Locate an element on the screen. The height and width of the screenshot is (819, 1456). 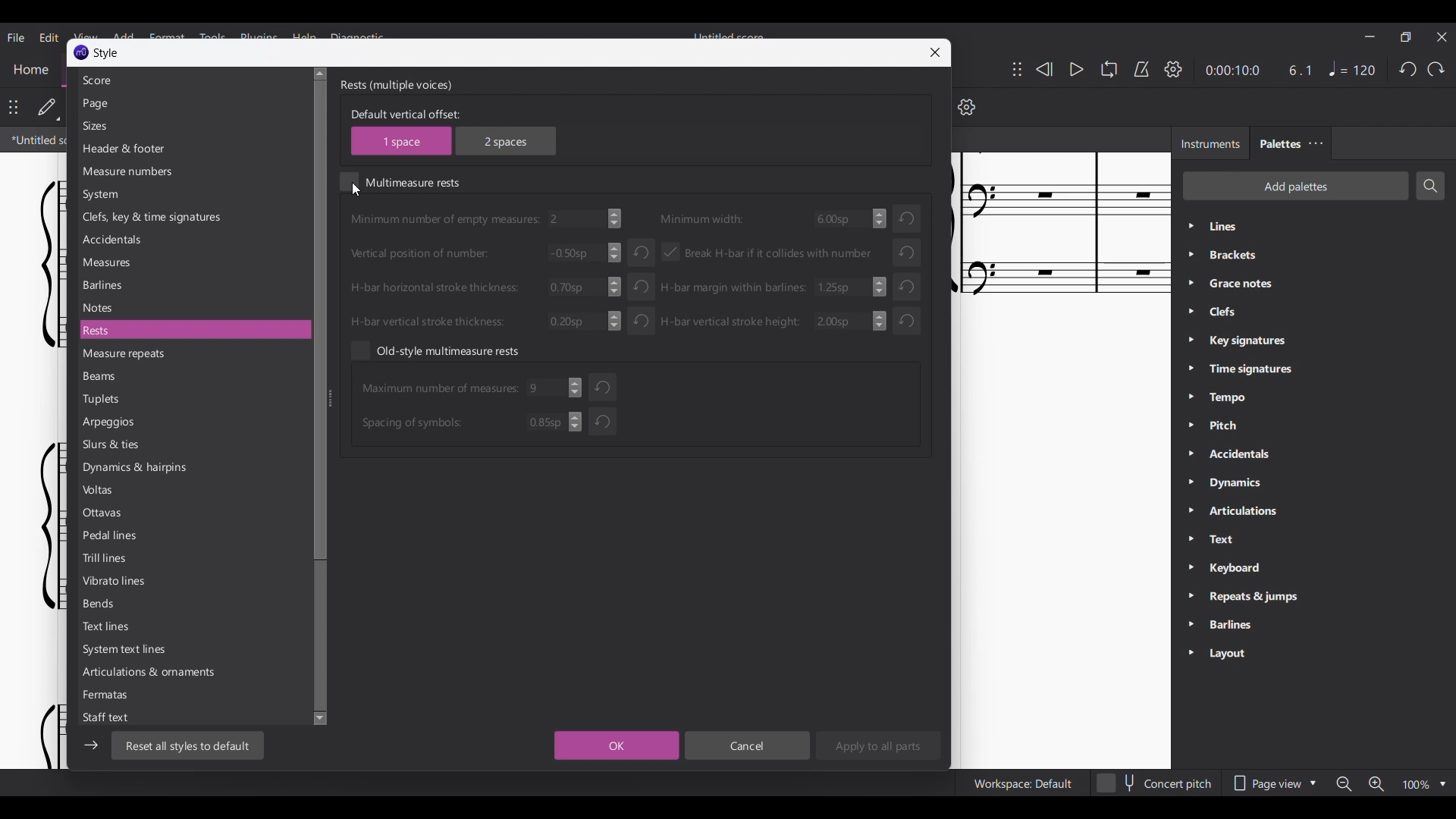
Default is located at coordinates (49, 108).